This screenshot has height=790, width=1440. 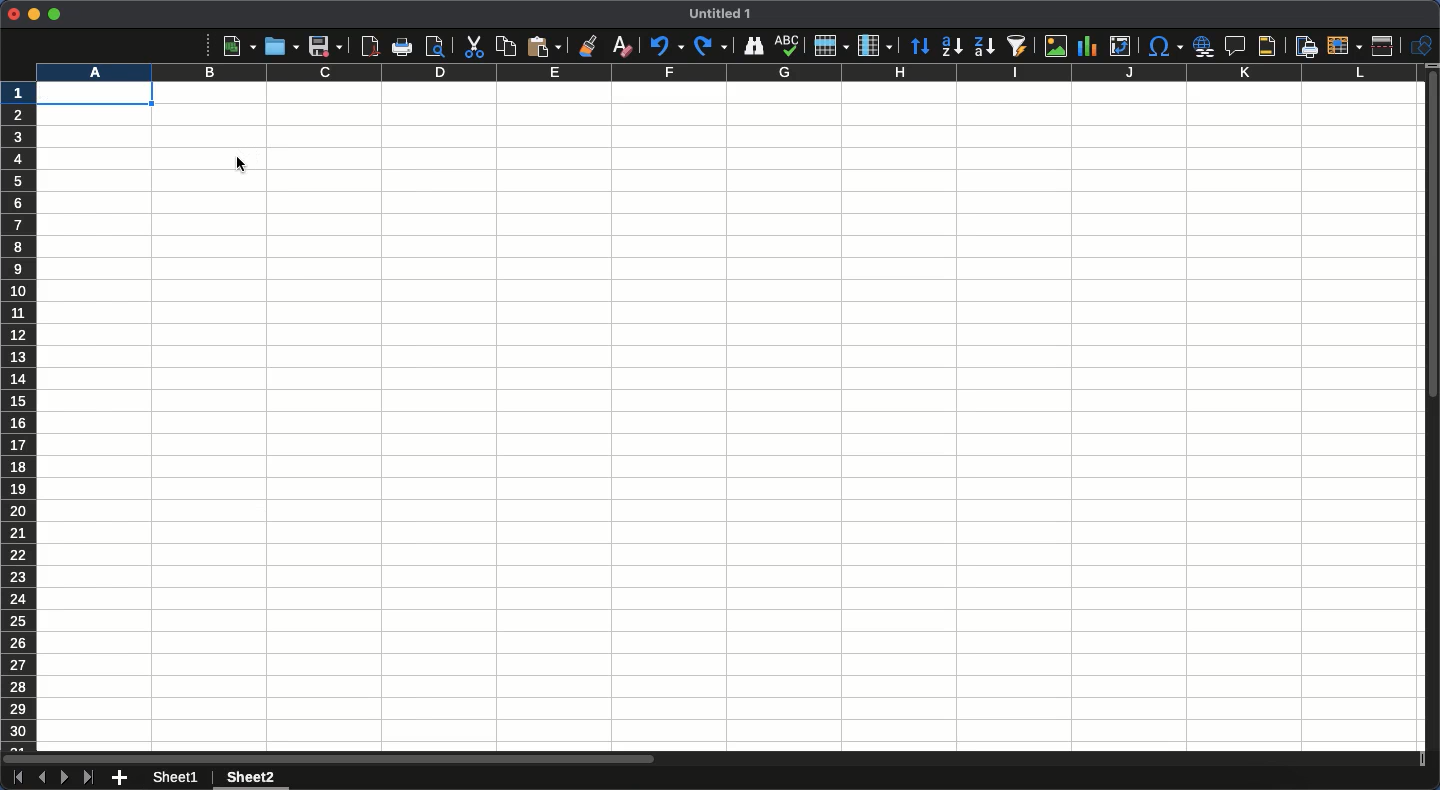 I want to click on Headers and footers, so click(x=1265, y=47).